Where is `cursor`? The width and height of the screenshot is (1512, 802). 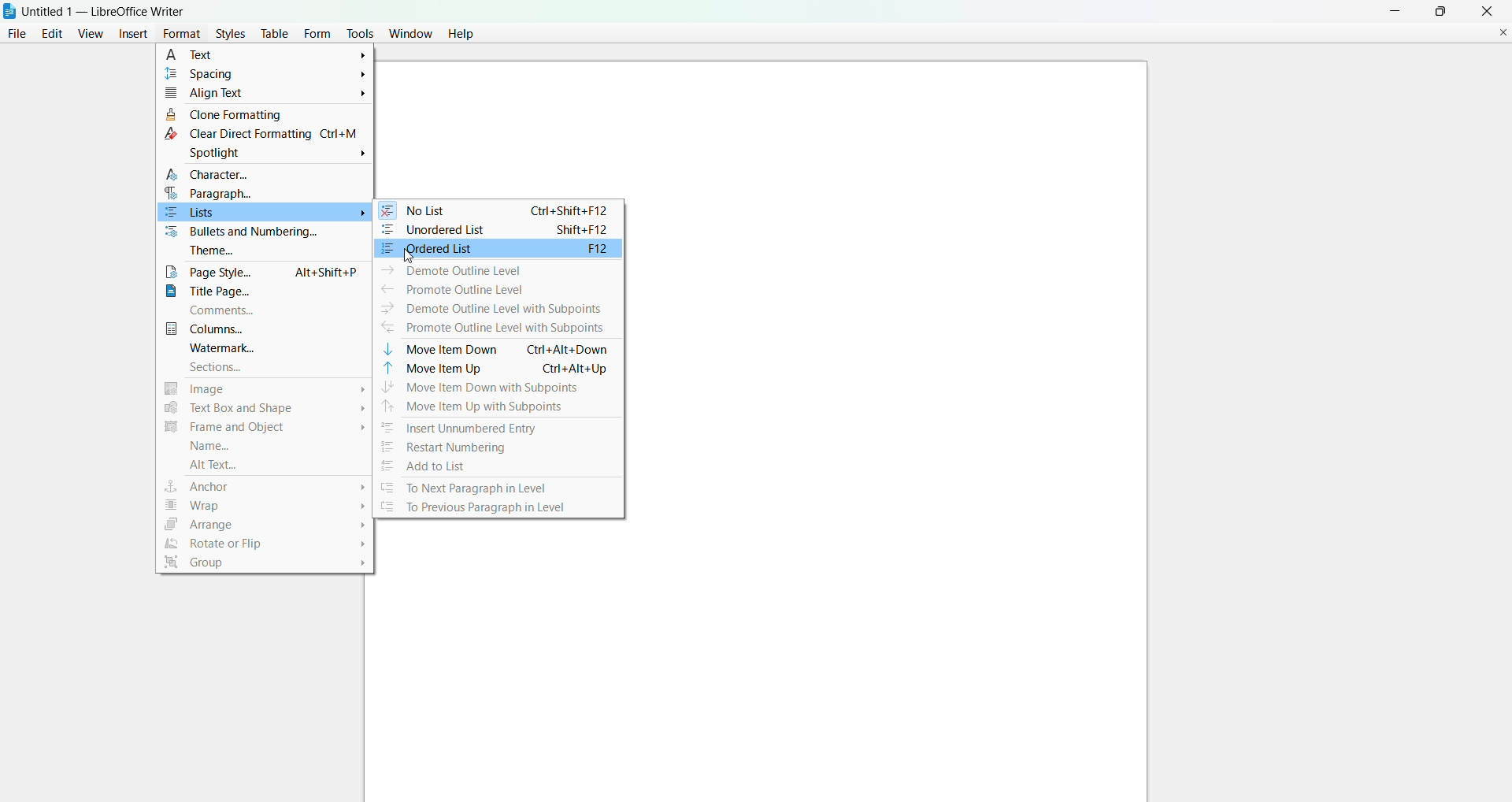
cursor is located at coordinates (413, 256).